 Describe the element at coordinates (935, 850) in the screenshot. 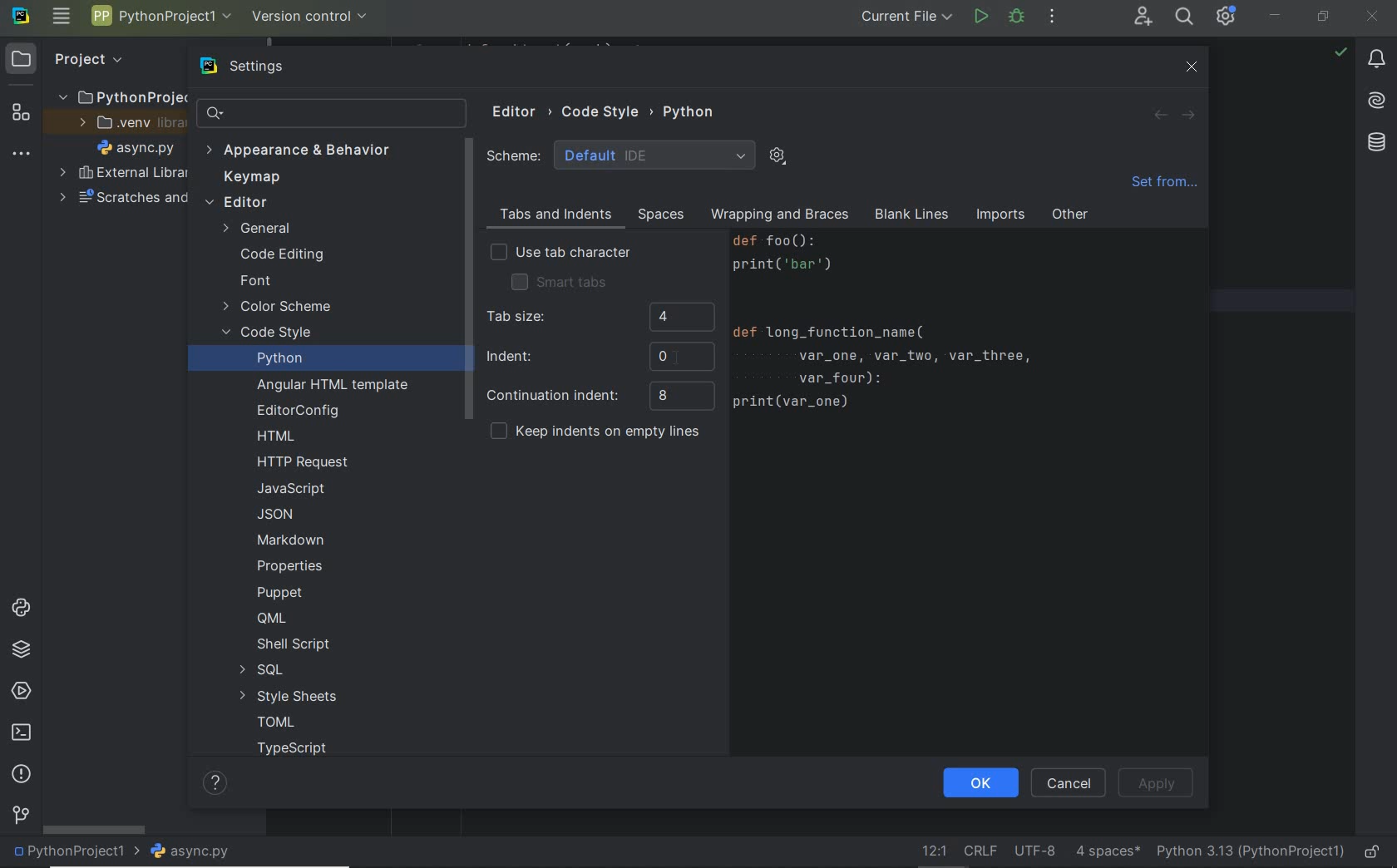

I see `go to line` at that location.